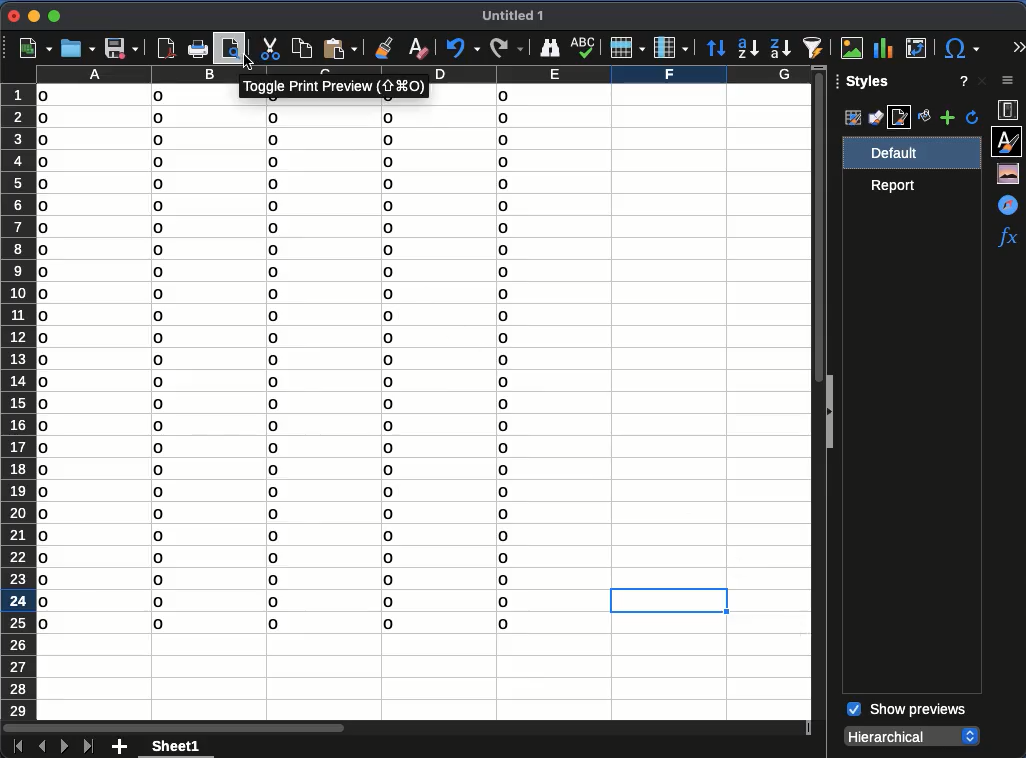  Describe the element at coordinates (384, 47) in the screenshot. I see `clone formatting` at that location.